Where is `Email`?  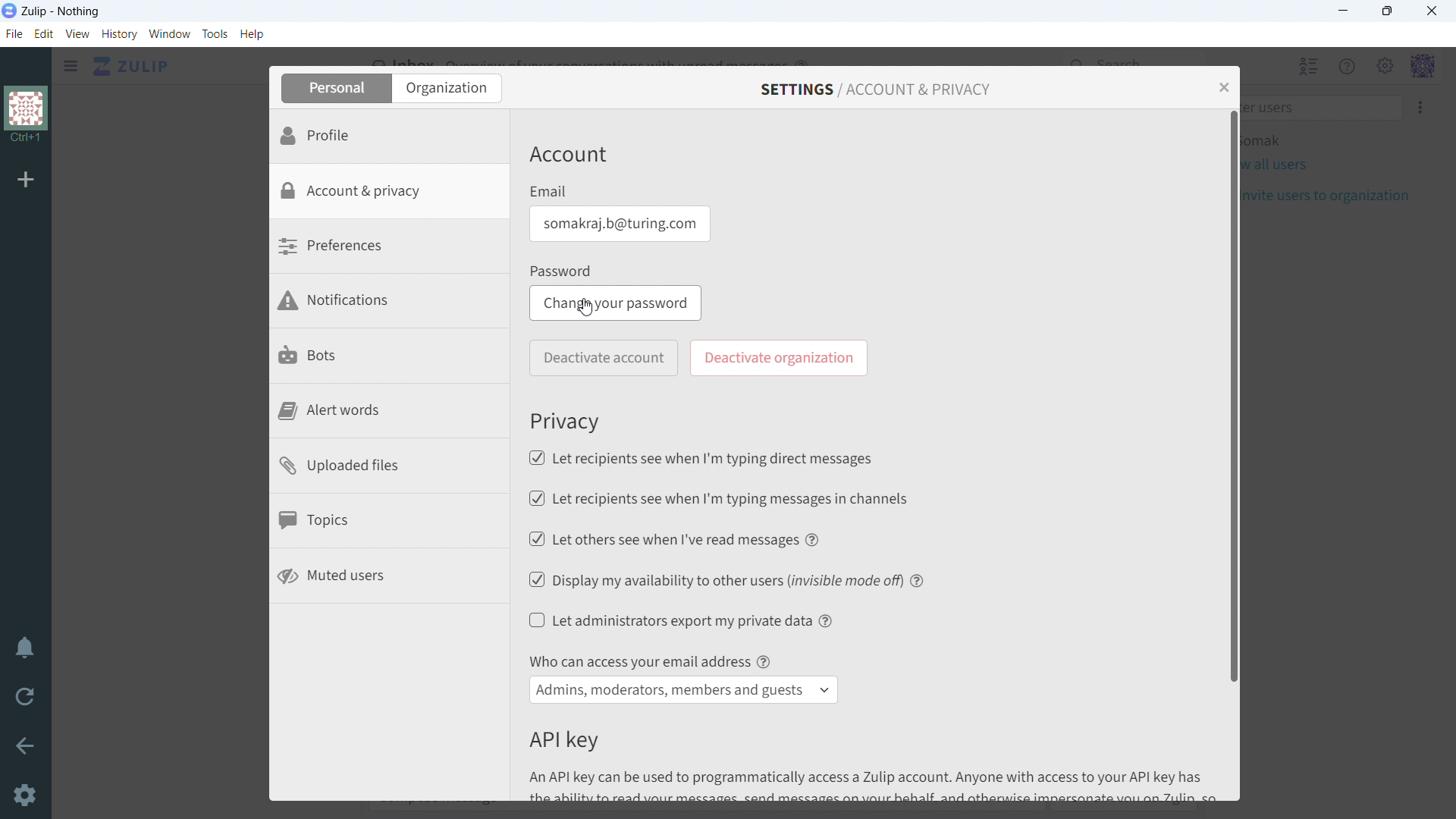 Email is located at coordinates (549, 191).